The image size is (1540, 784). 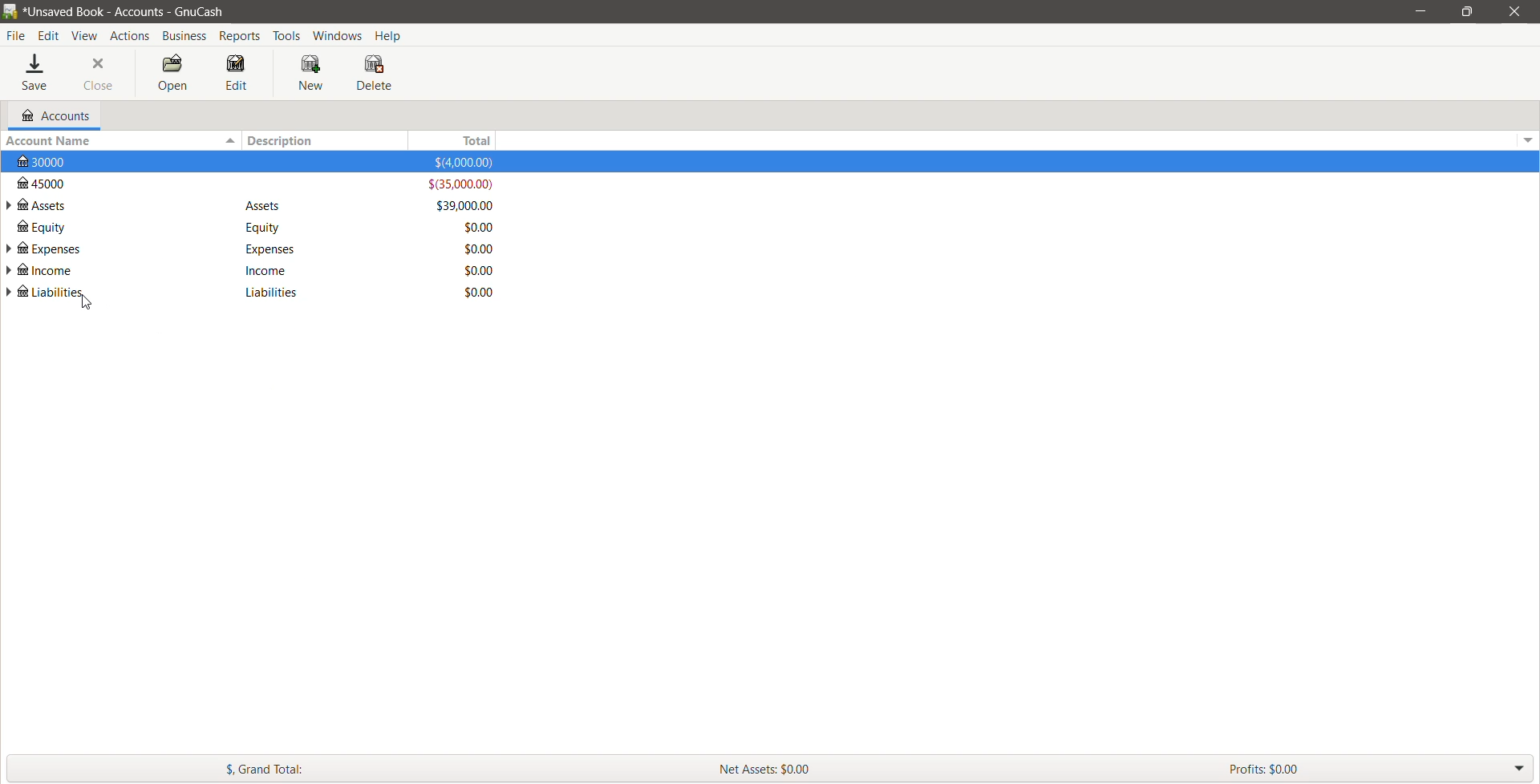 What do you see at coordinates (10, 270) in the screenshot?
I see `expand subaccounts` at bounding box center [10, 270].